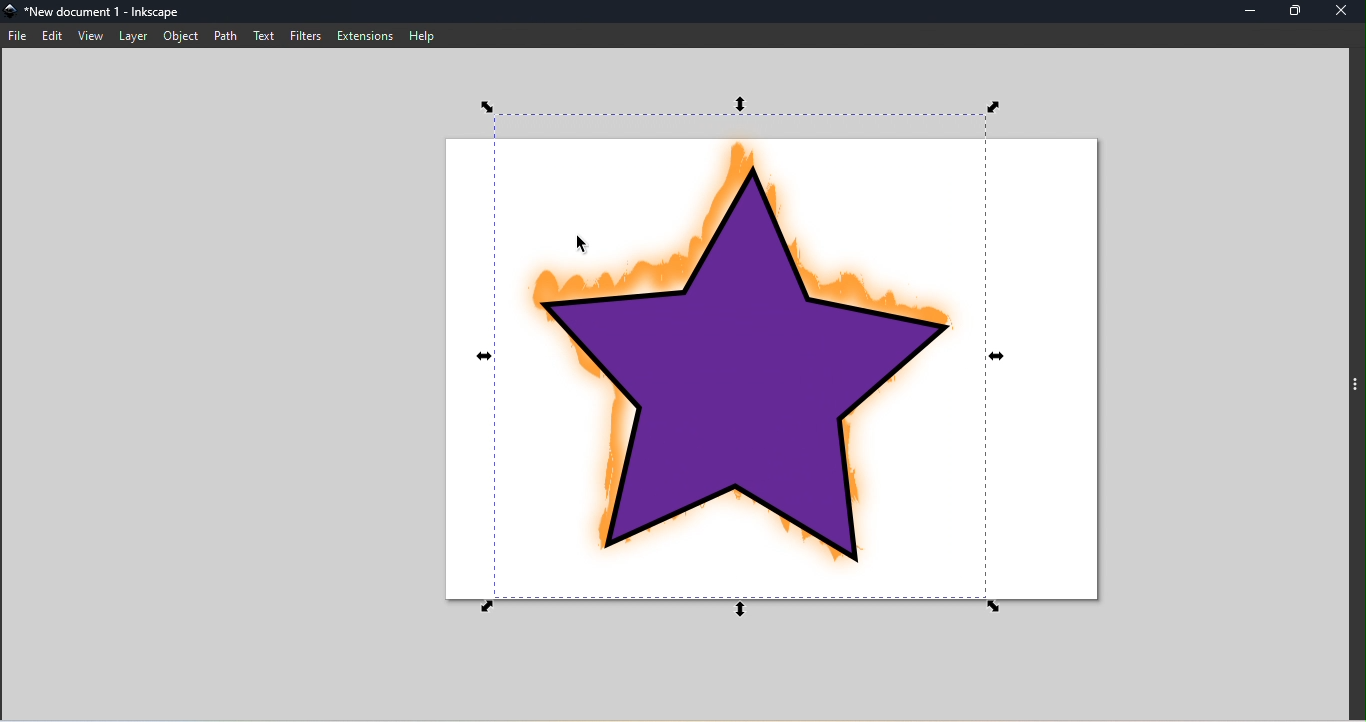 The image size is (1366, 722). I want to click on close, so click(1344, 11).